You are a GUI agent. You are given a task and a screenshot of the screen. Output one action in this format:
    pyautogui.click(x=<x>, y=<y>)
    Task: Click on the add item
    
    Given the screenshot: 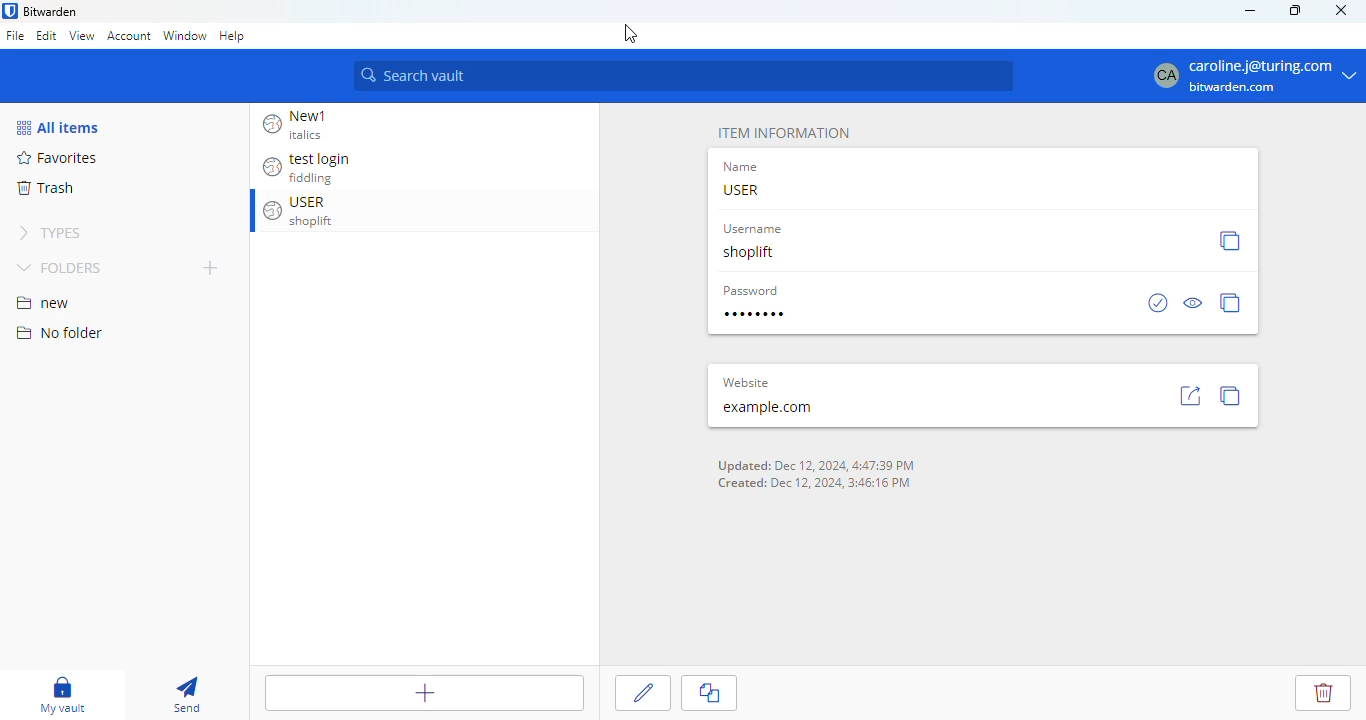 What is the action you would take?
    pyautogui.click(x=425, y=692)
    